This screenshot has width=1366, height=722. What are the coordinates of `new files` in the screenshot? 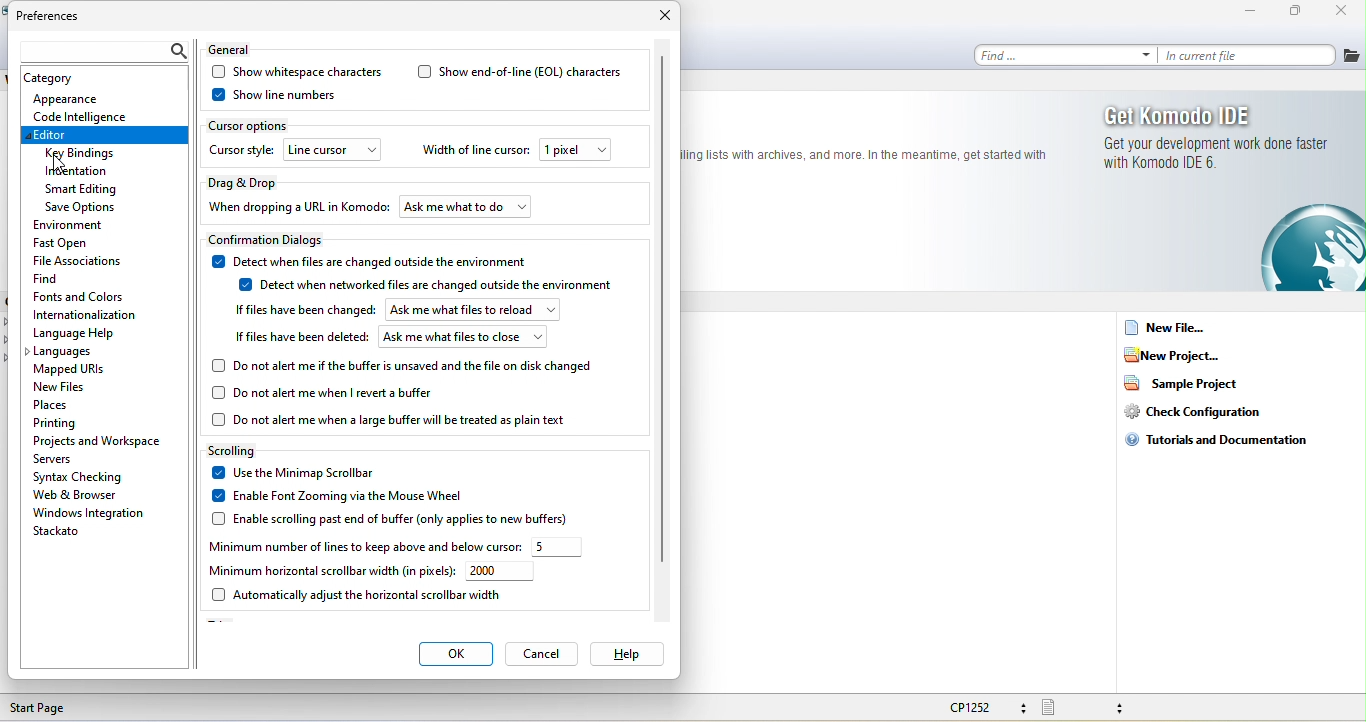 It's located at (68, 386).